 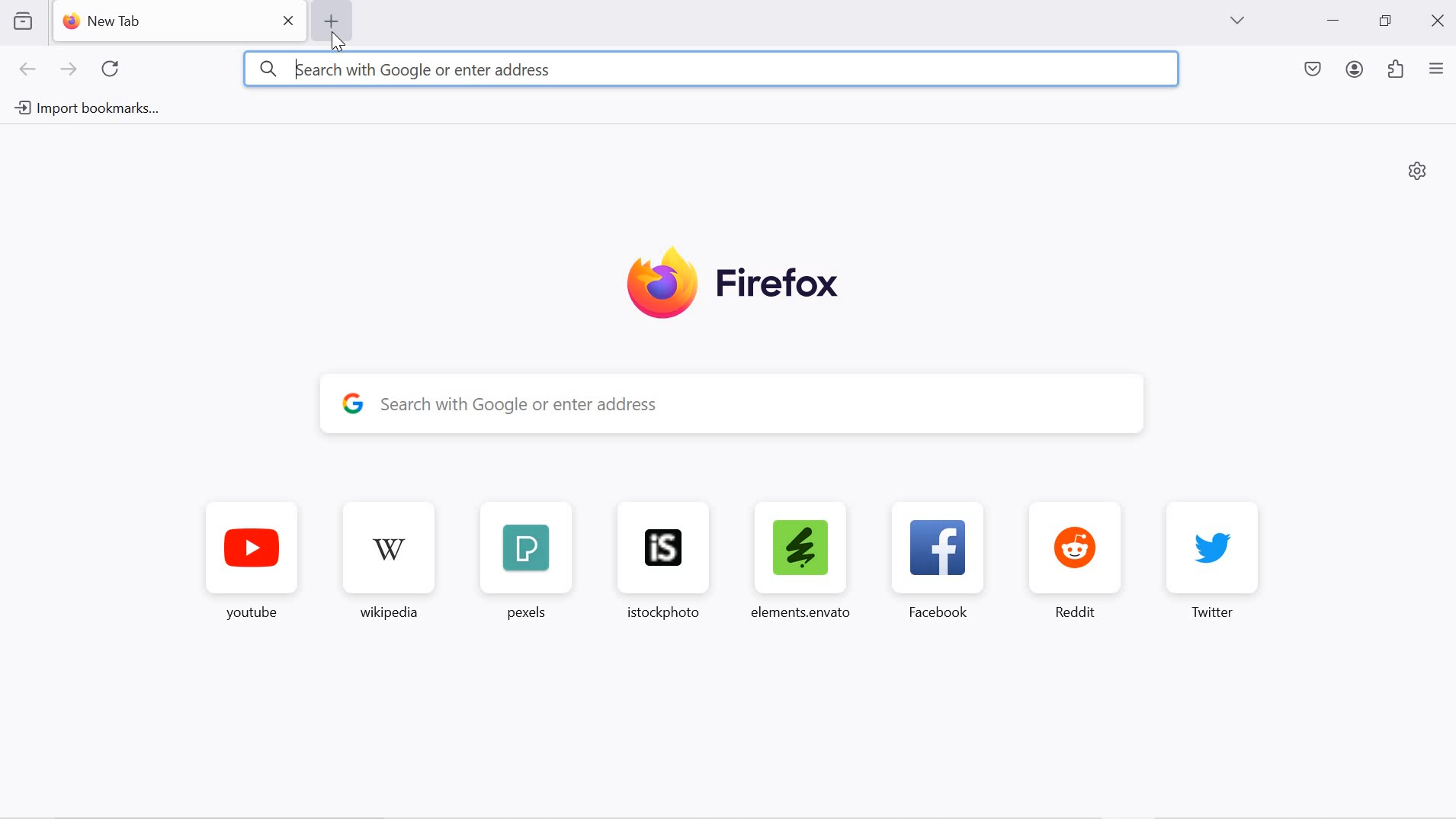 What do you see at coordinates (1236, 21) in the screenshot?
I see `list all tabs` at bounding box center [1236, 21].